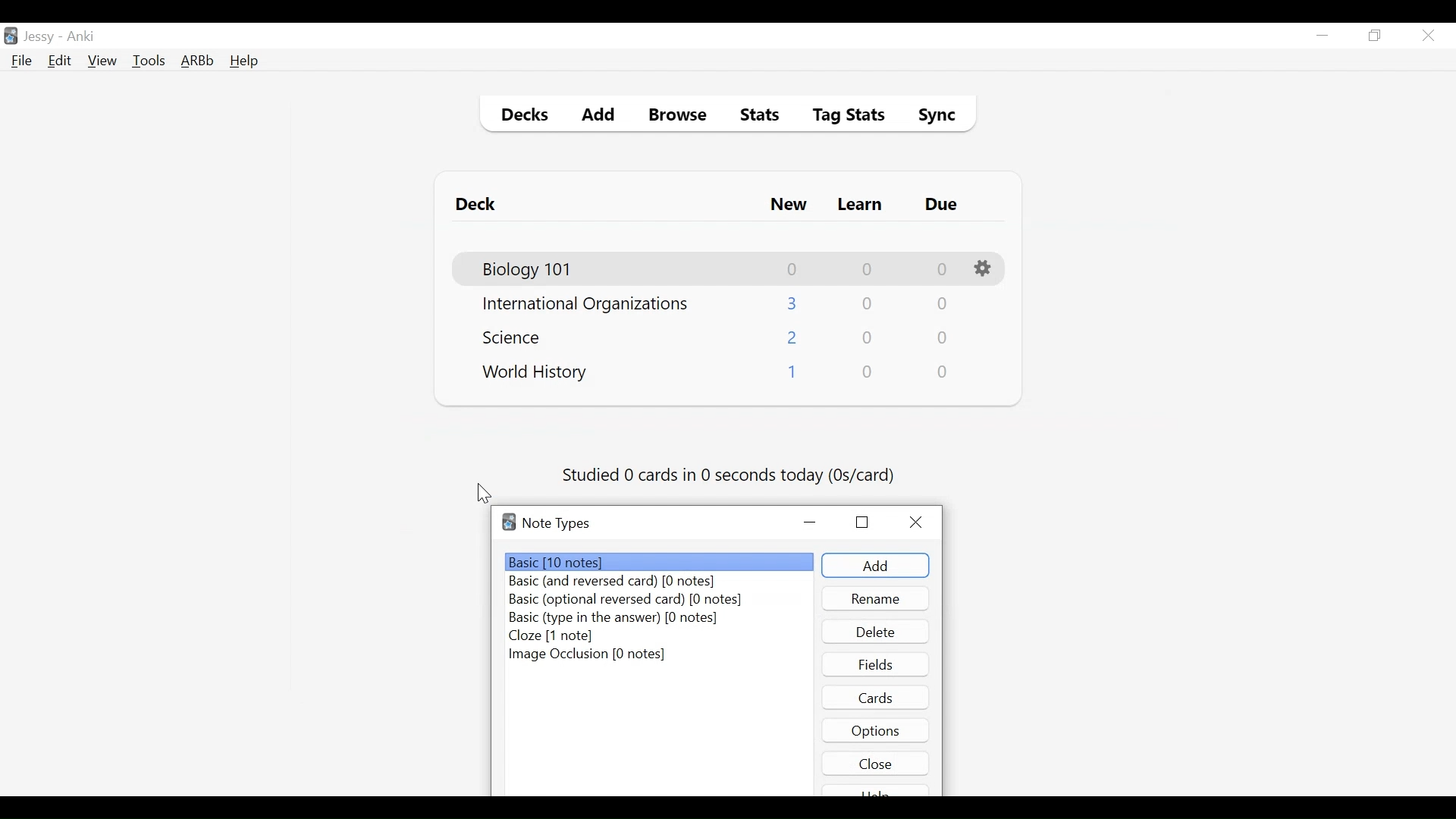  What do you see at coordinates (485, 494) in the screenshot?
I see `Cursor` at bounding box center [485, 494].